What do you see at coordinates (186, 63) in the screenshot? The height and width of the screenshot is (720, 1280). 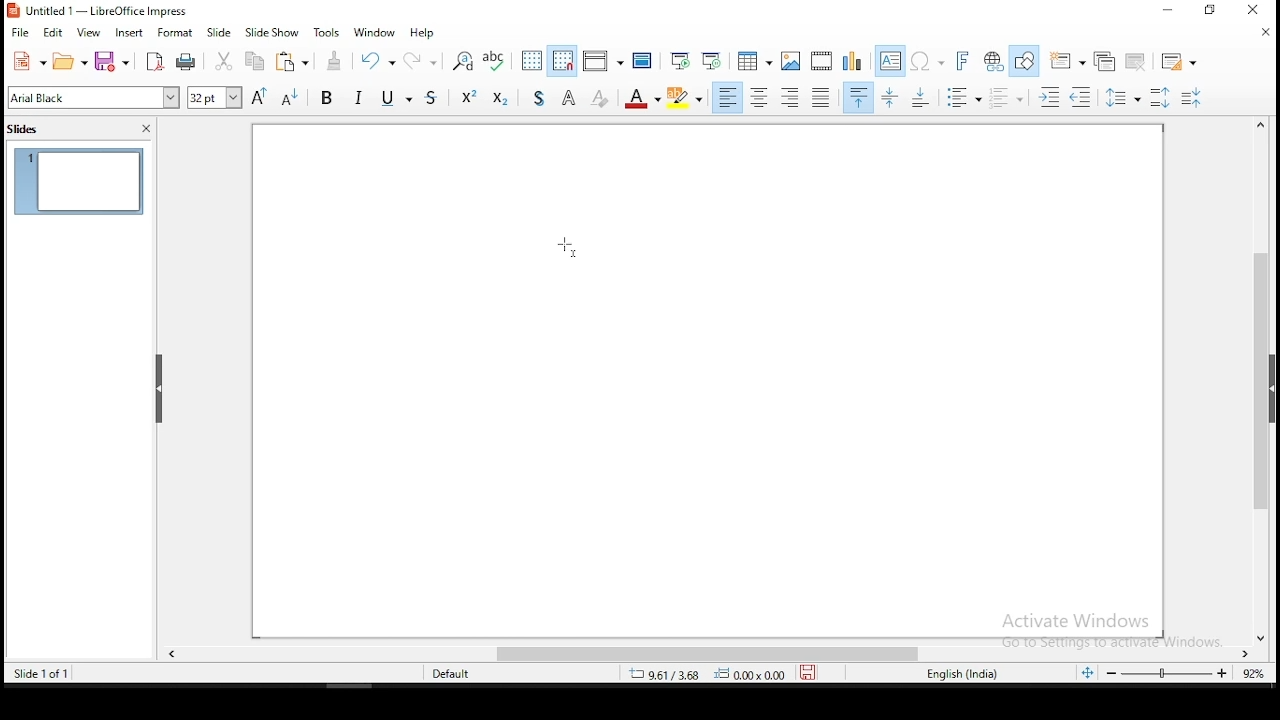 I see `print` at bounding box center [186, 63].